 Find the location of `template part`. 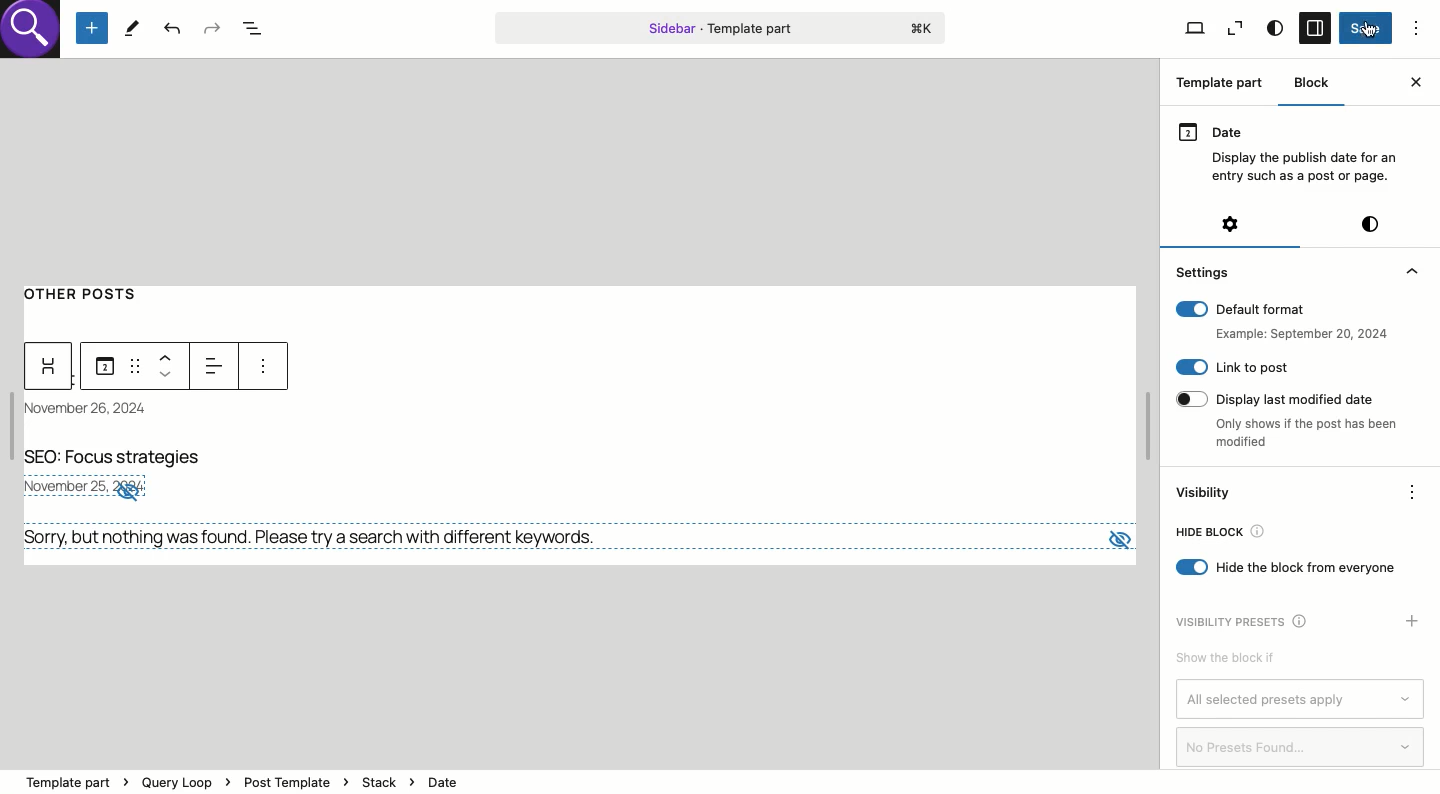

template part is located at coordinates (244, 771).